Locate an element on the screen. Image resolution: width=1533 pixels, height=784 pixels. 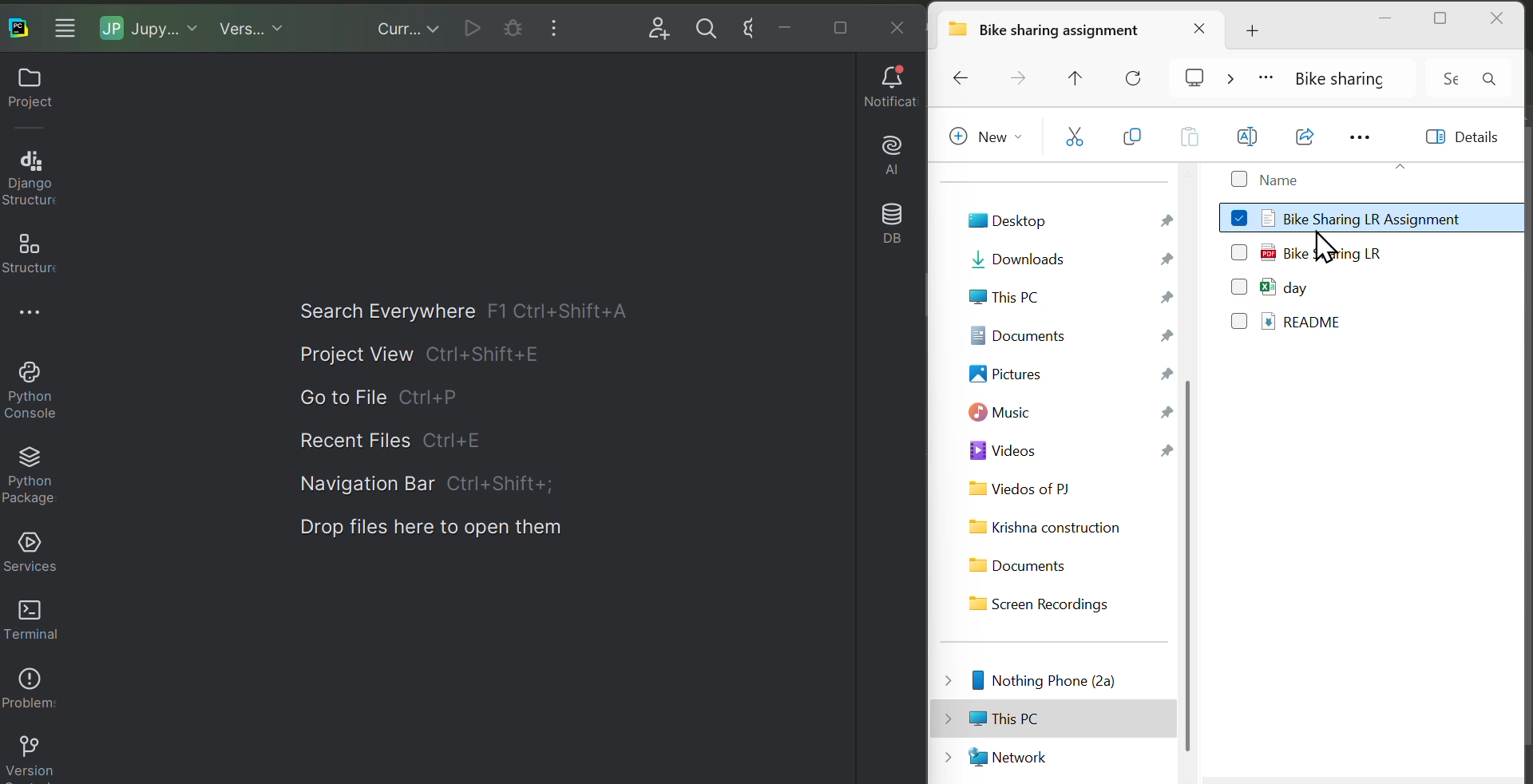
cursor is located at coordinates (1321, 237).